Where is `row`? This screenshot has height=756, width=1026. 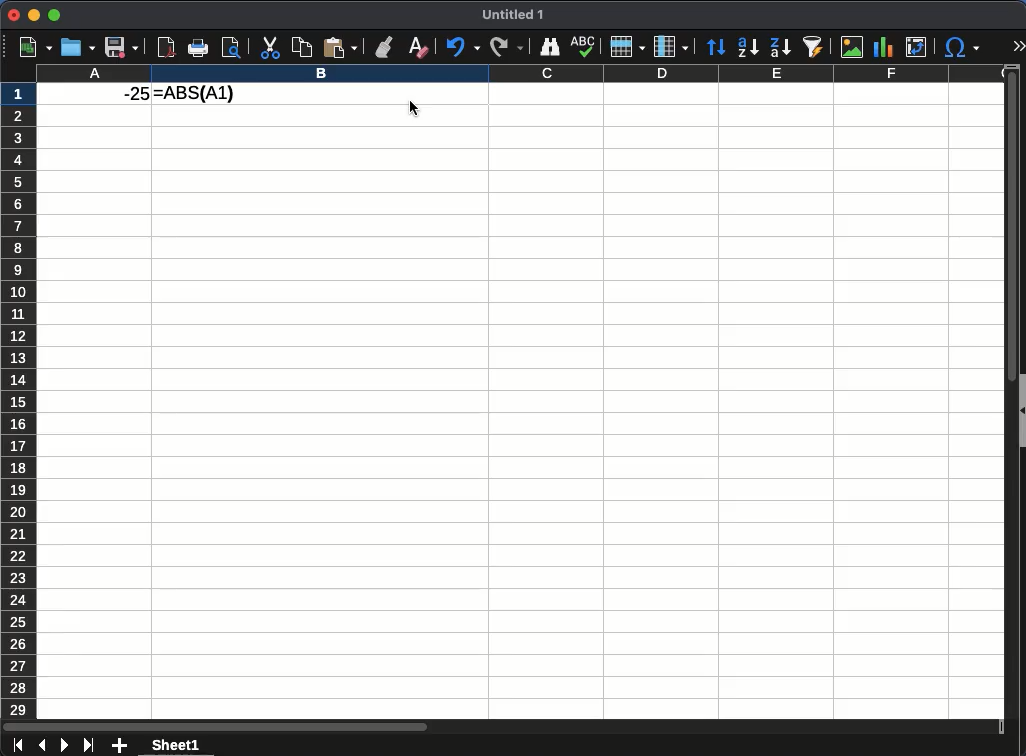
row is located at coordinates (626, 46).